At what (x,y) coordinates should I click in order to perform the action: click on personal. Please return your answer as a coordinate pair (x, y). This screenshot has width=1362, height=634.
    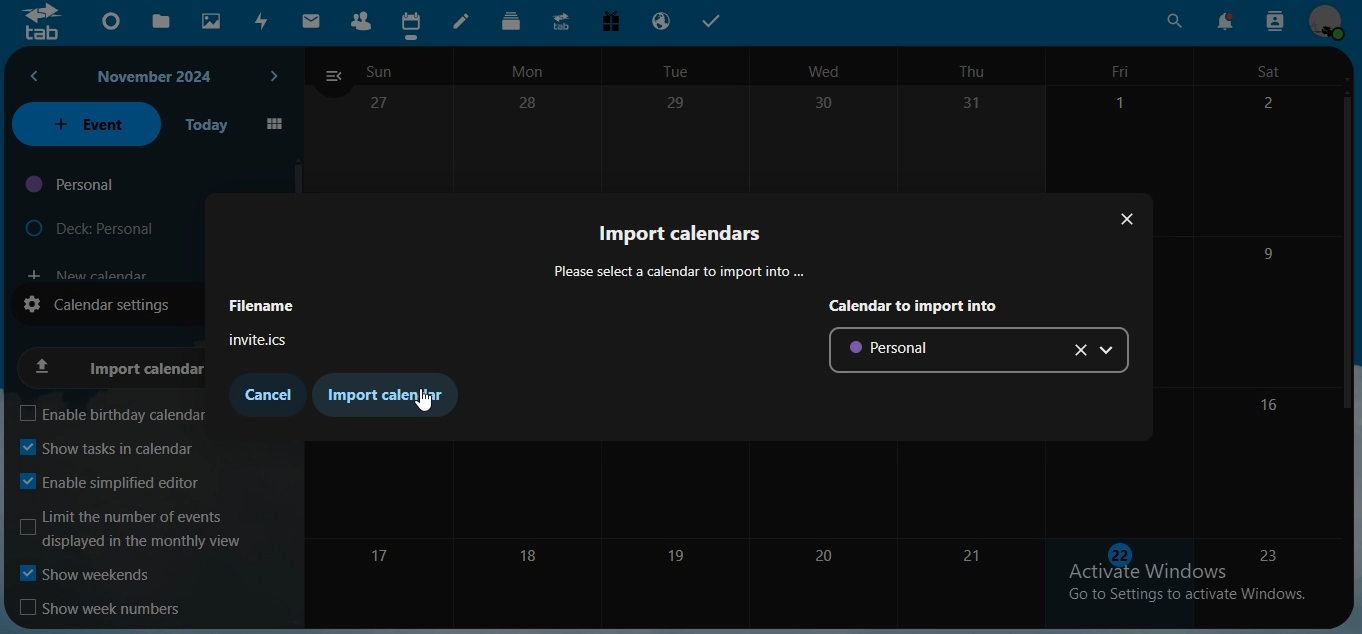
    Looking at the image, I should click on (978, 350).